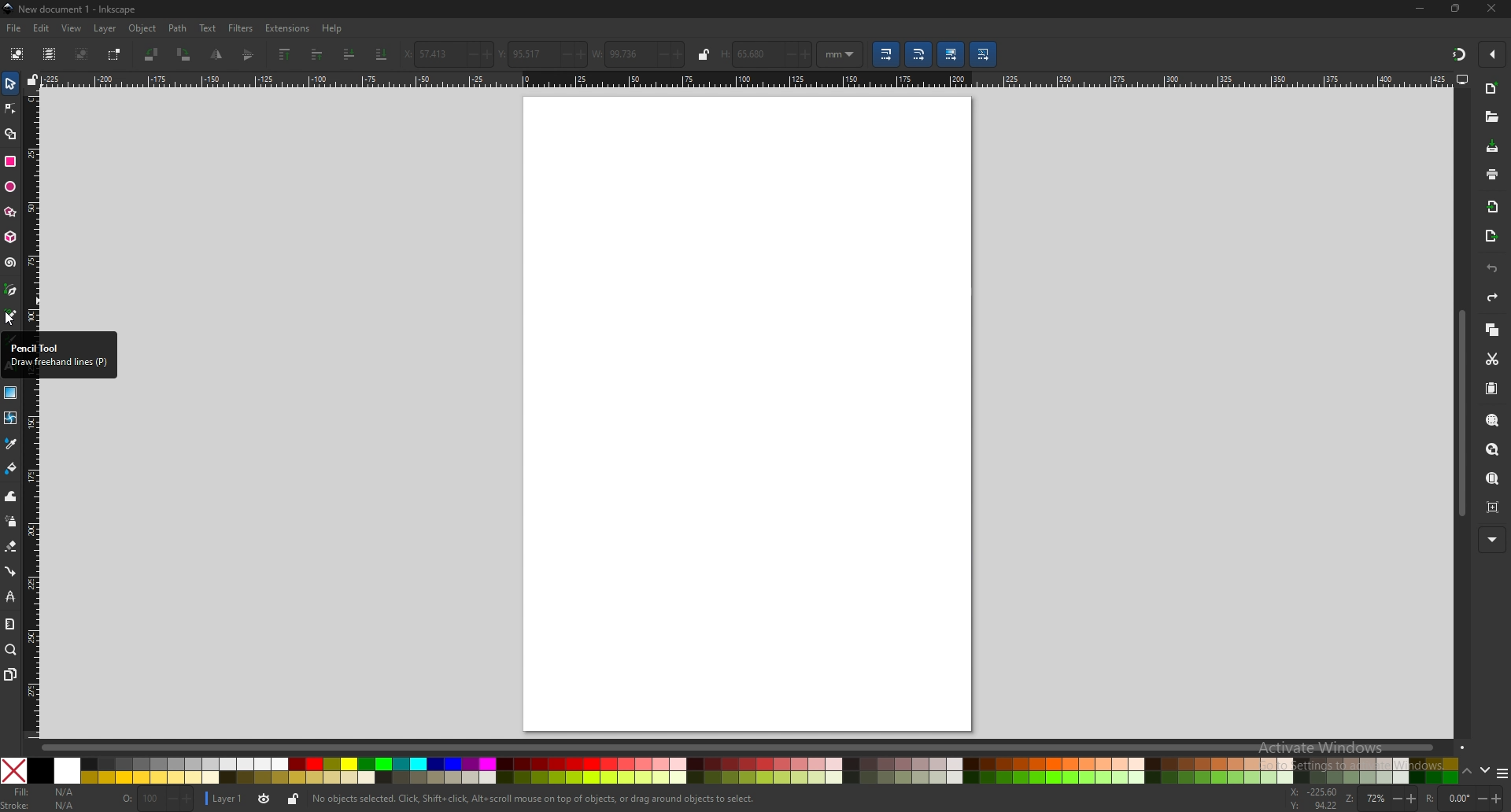 This screenshot has height=812, width=1511. I want to click on raise one step, so click(315, 54).